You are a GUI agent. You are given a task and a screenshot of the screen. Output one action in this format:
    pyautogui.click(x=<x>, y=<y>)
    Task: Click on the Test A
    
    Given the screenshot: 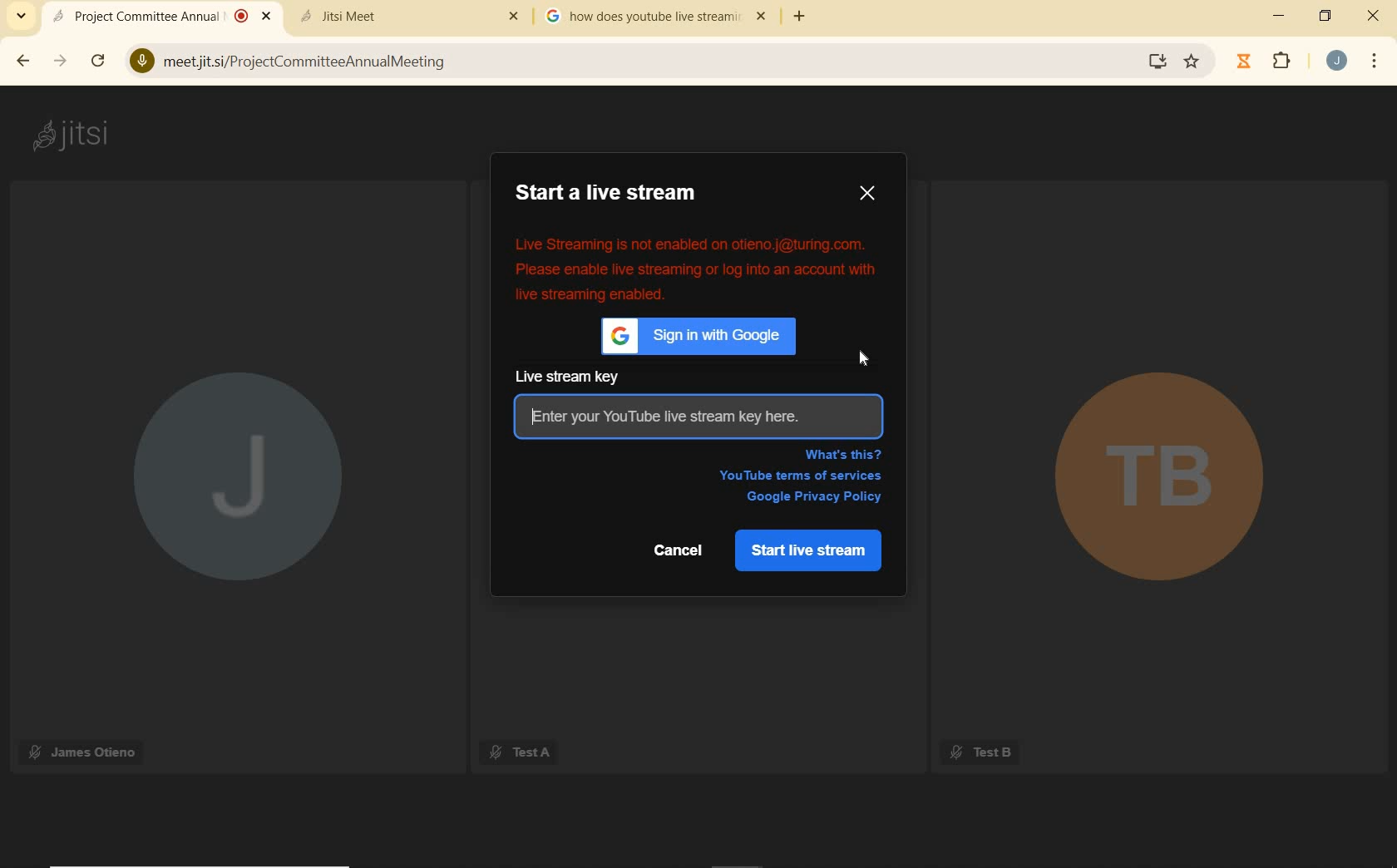 What is the action you would take?
    pyautogui.click(x=521, y=752)
    